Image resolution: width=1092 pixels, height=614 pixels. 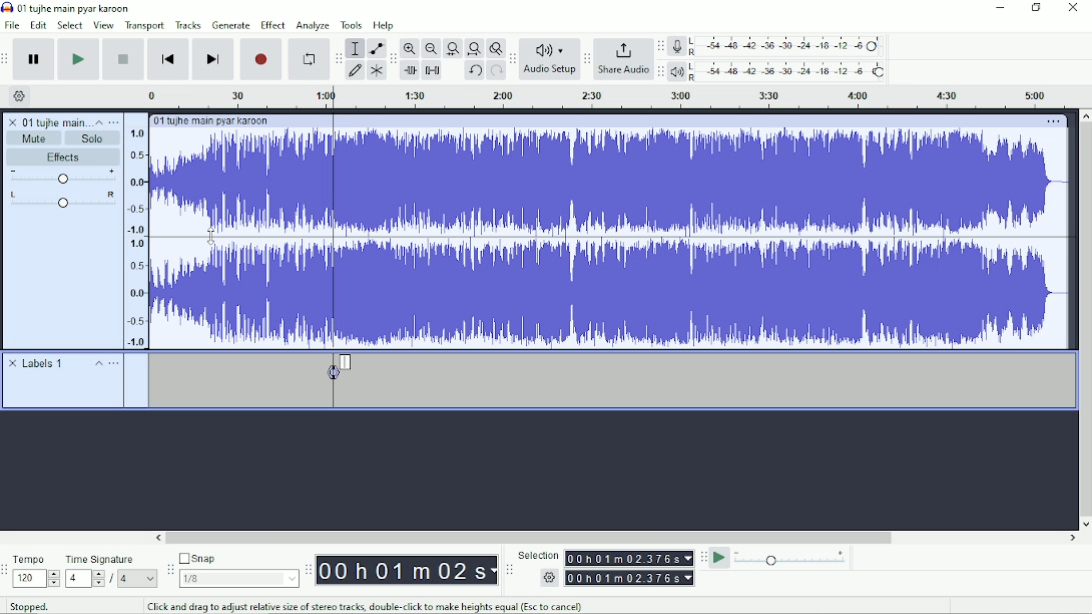 What do you see at coordinates (1052, 121) in the screenshot?
I see `More options` at bounding box center [1052, 121].